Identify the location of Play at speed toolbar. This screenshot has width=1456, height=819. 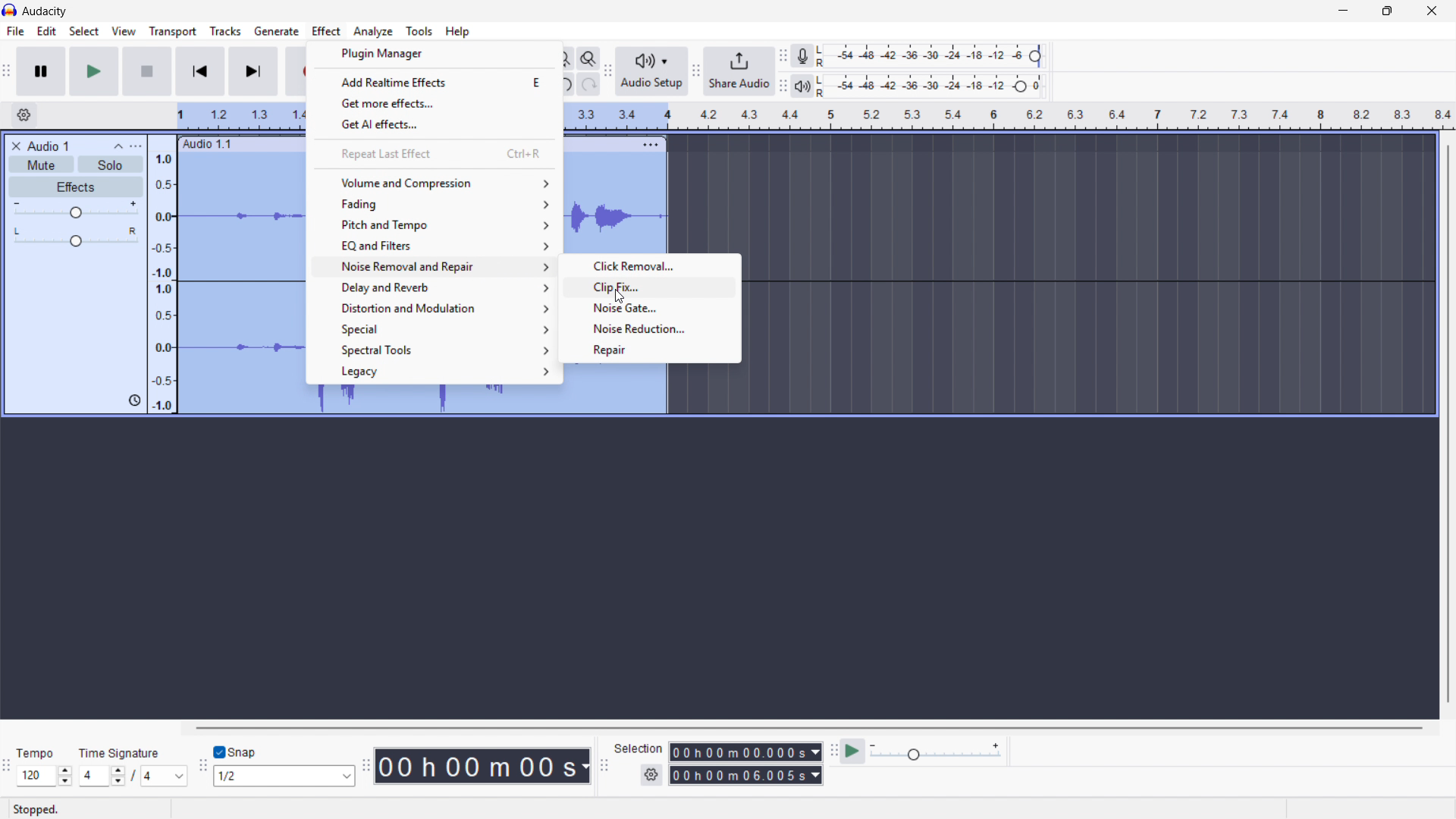
(831, 752).